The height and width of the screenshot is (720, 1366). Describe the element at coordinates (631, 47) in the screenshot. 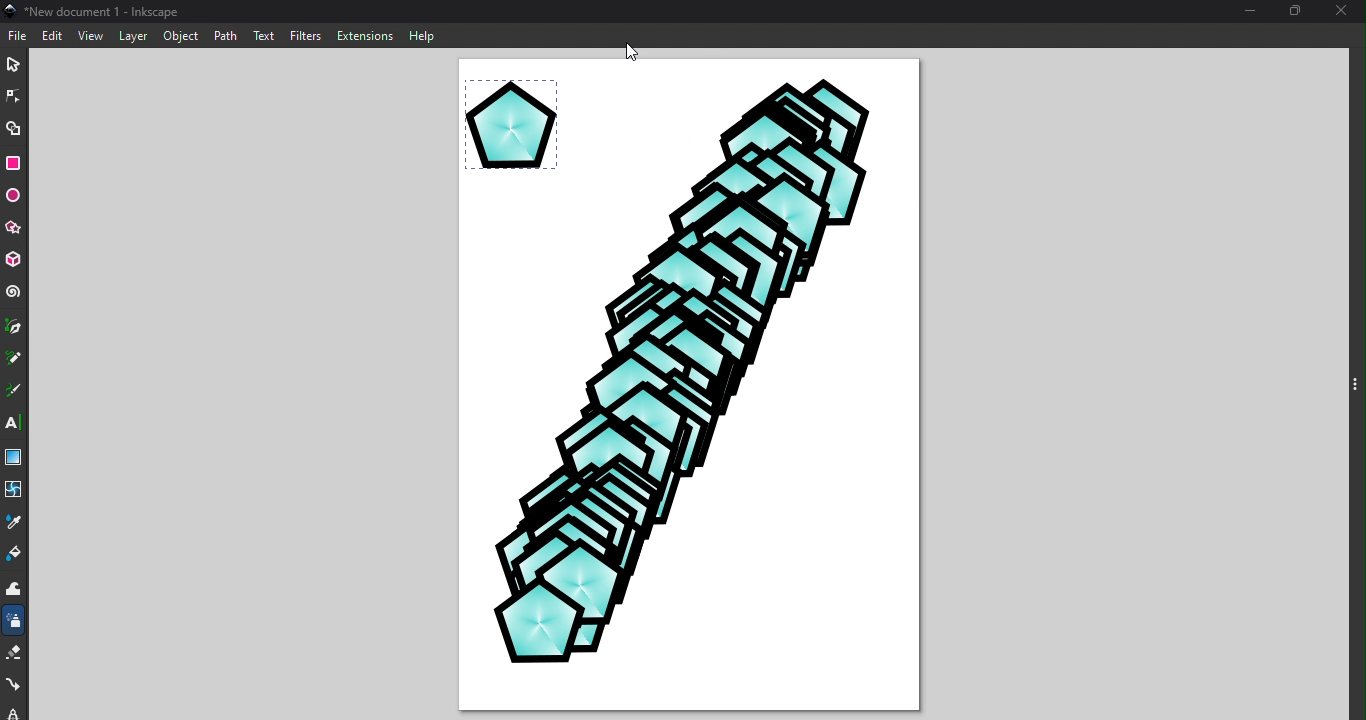

I see `Cursor` at that location.